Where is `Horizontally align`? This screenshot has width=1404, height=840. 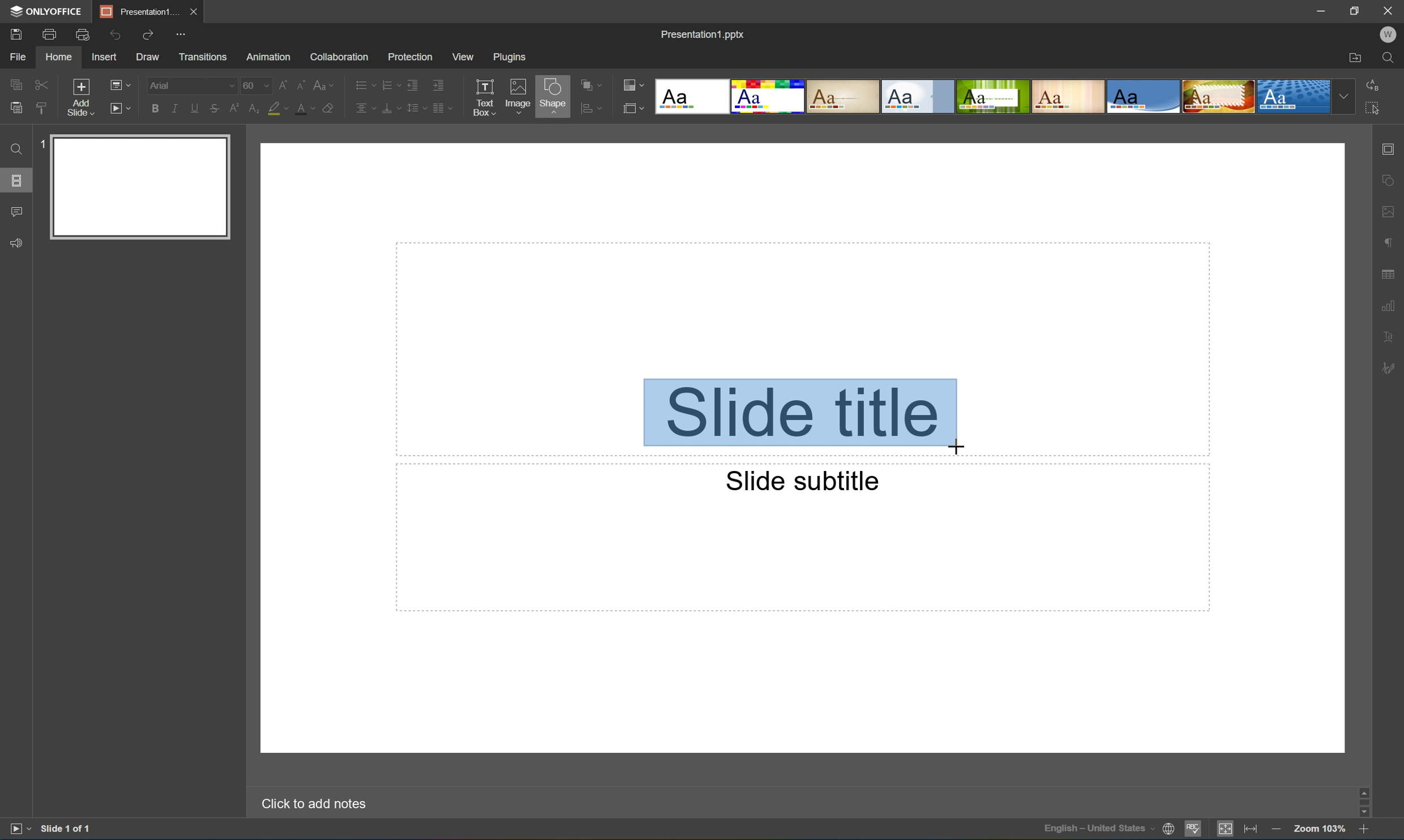
Horizontally align is located at coordinates (363, 108).